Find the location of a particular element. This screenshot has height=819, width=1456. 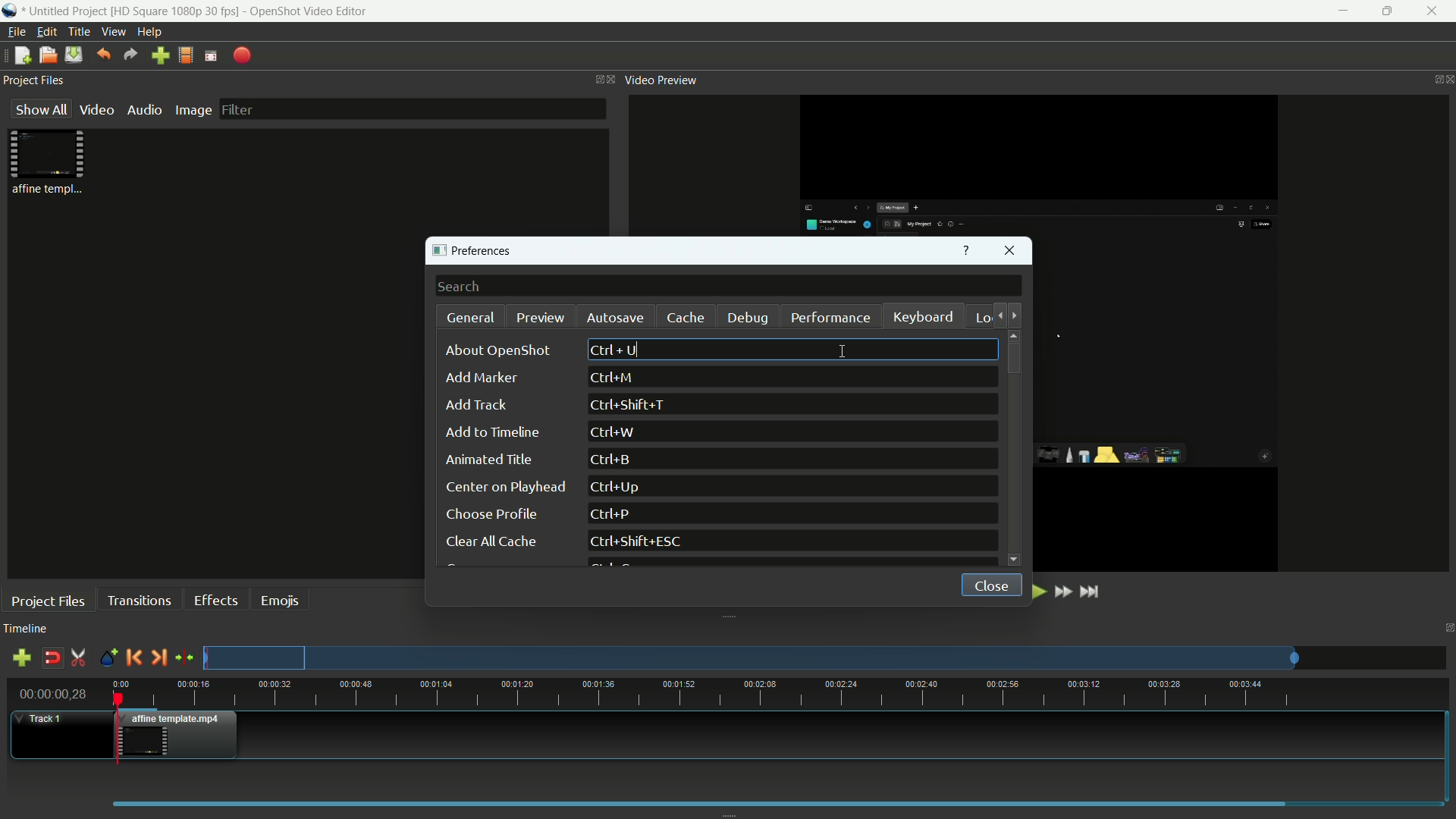

undo is located at coordinates (103, 54).